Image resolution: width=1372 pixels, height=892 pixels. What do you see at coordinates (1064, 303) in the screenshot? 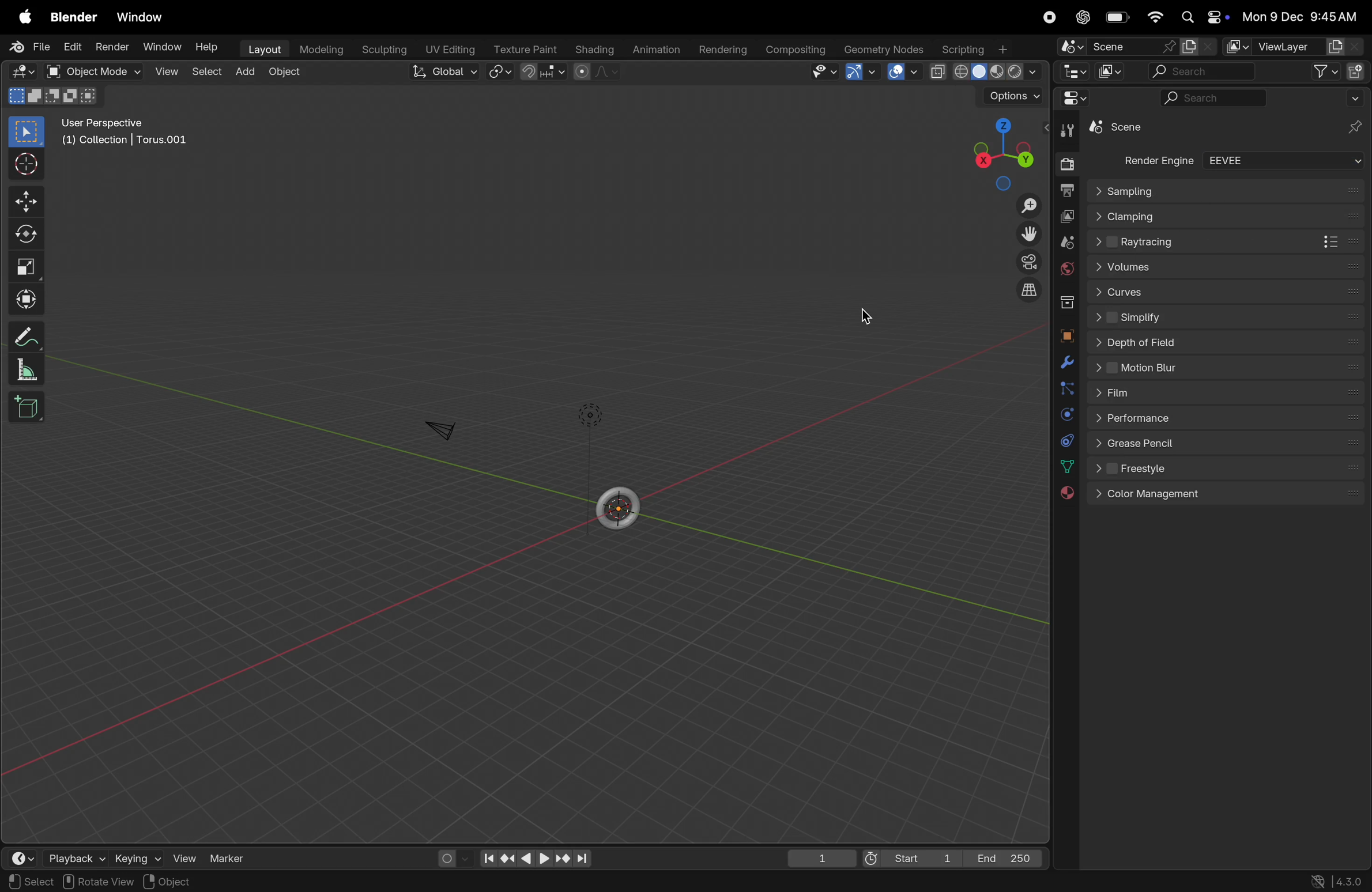
I see `collection` at bounding box center [1064, 303].